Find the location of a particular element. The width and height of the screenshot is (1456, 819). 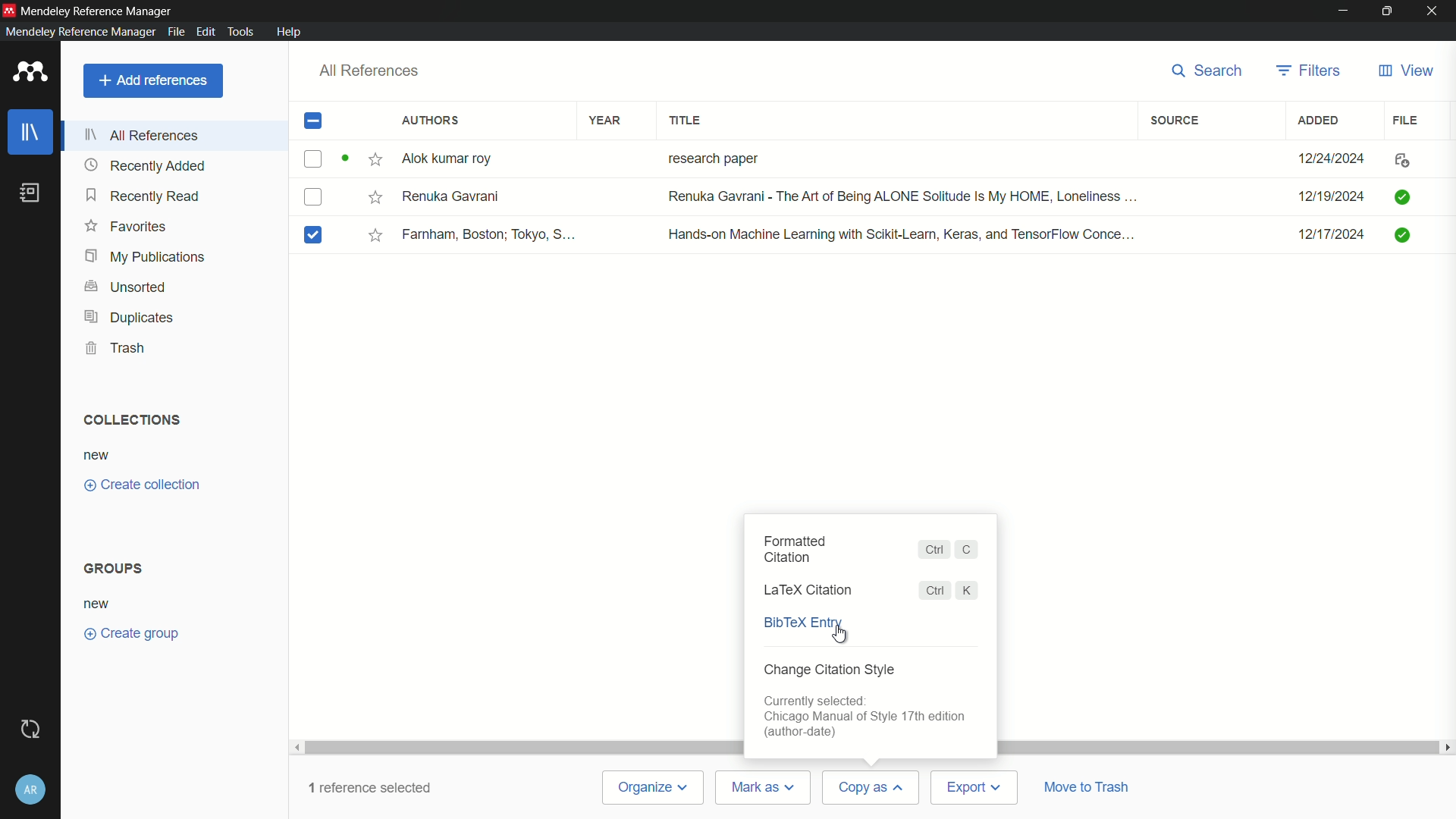

keyboard shortcut (Ctrl K) is located at coordinates (946, 589).